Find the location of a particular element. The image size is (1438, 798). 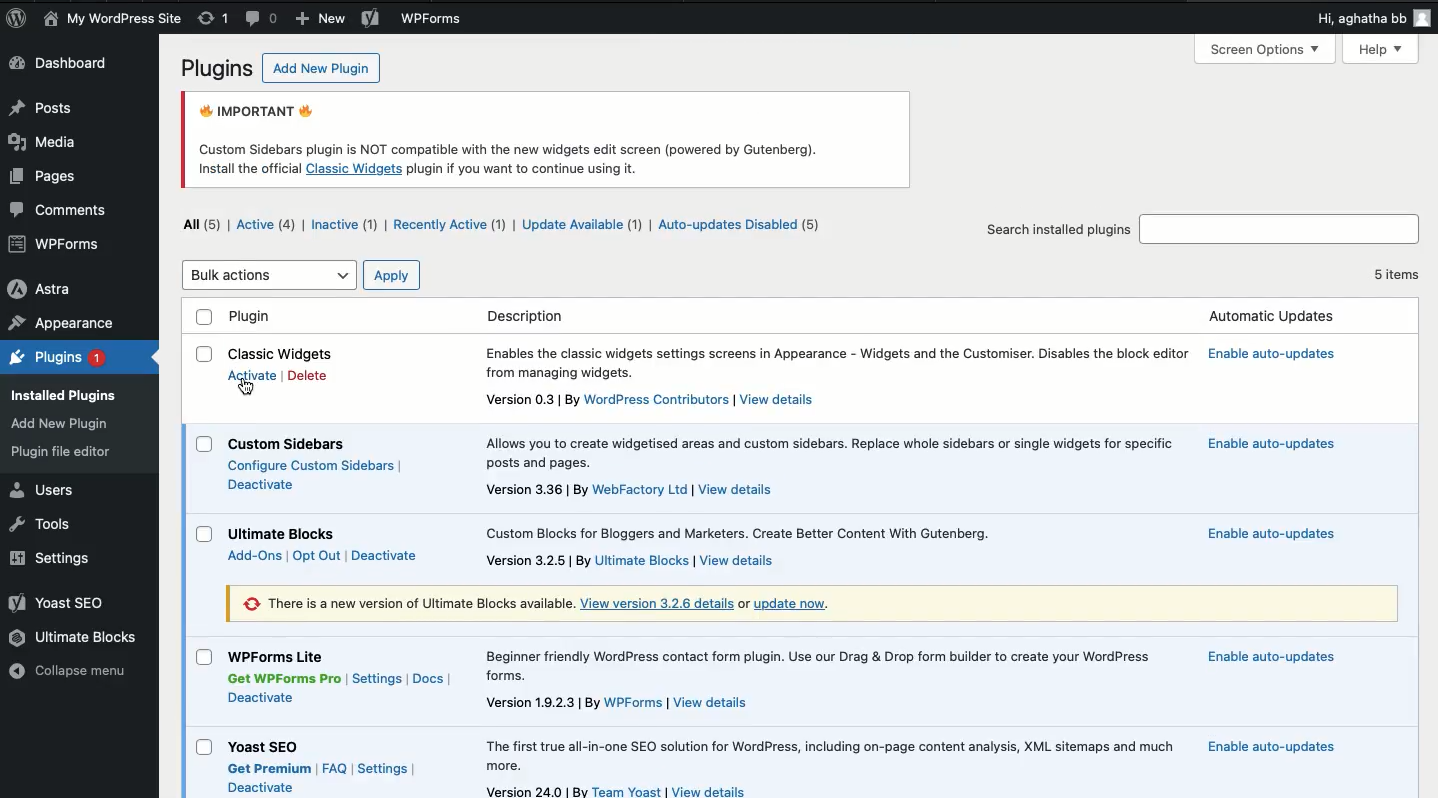

Dashboard is located at coordinates (68, 65).